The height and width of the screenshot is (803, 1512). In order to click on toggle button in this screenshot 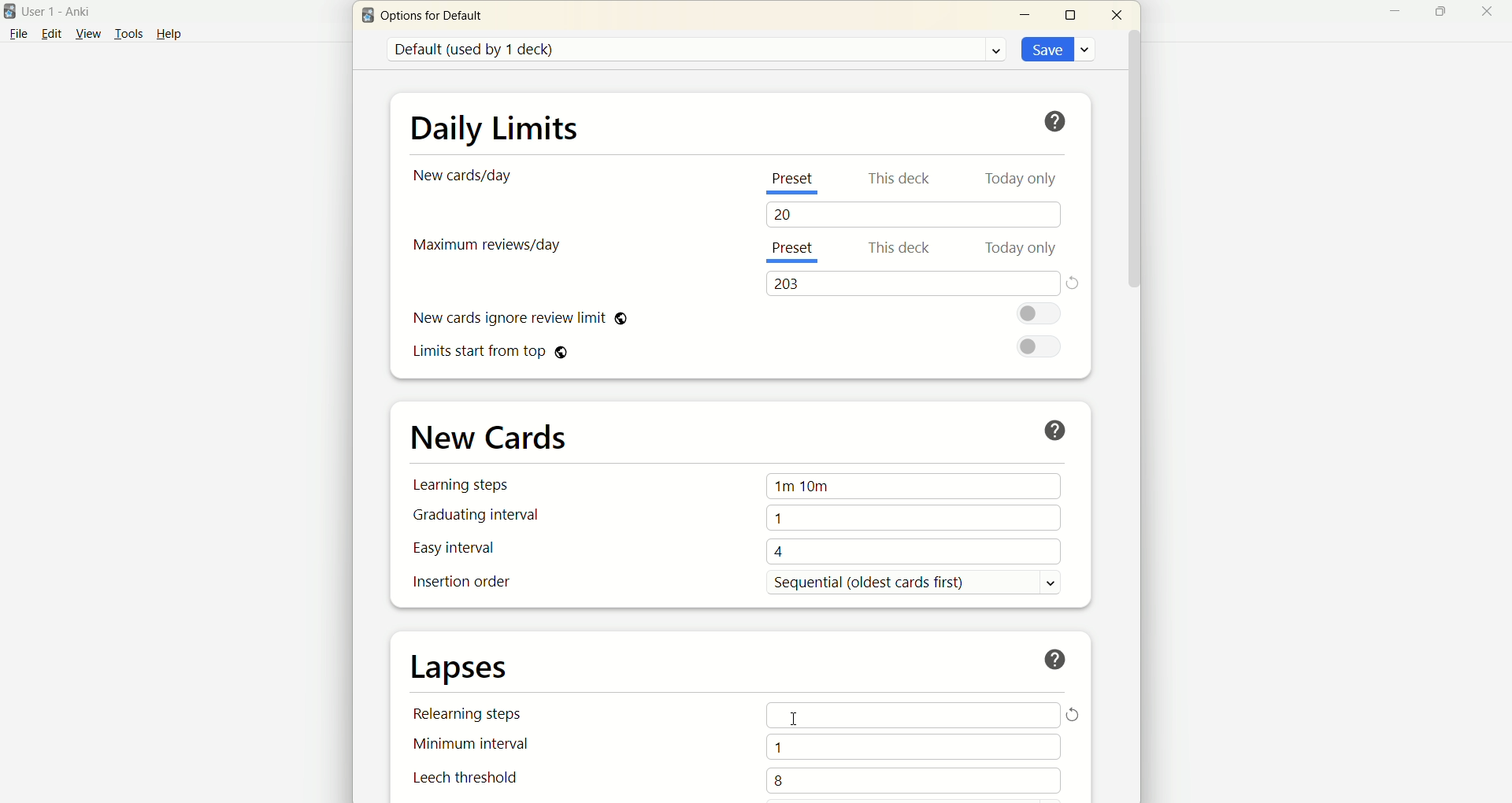, I will do `click(1038, 348)`.